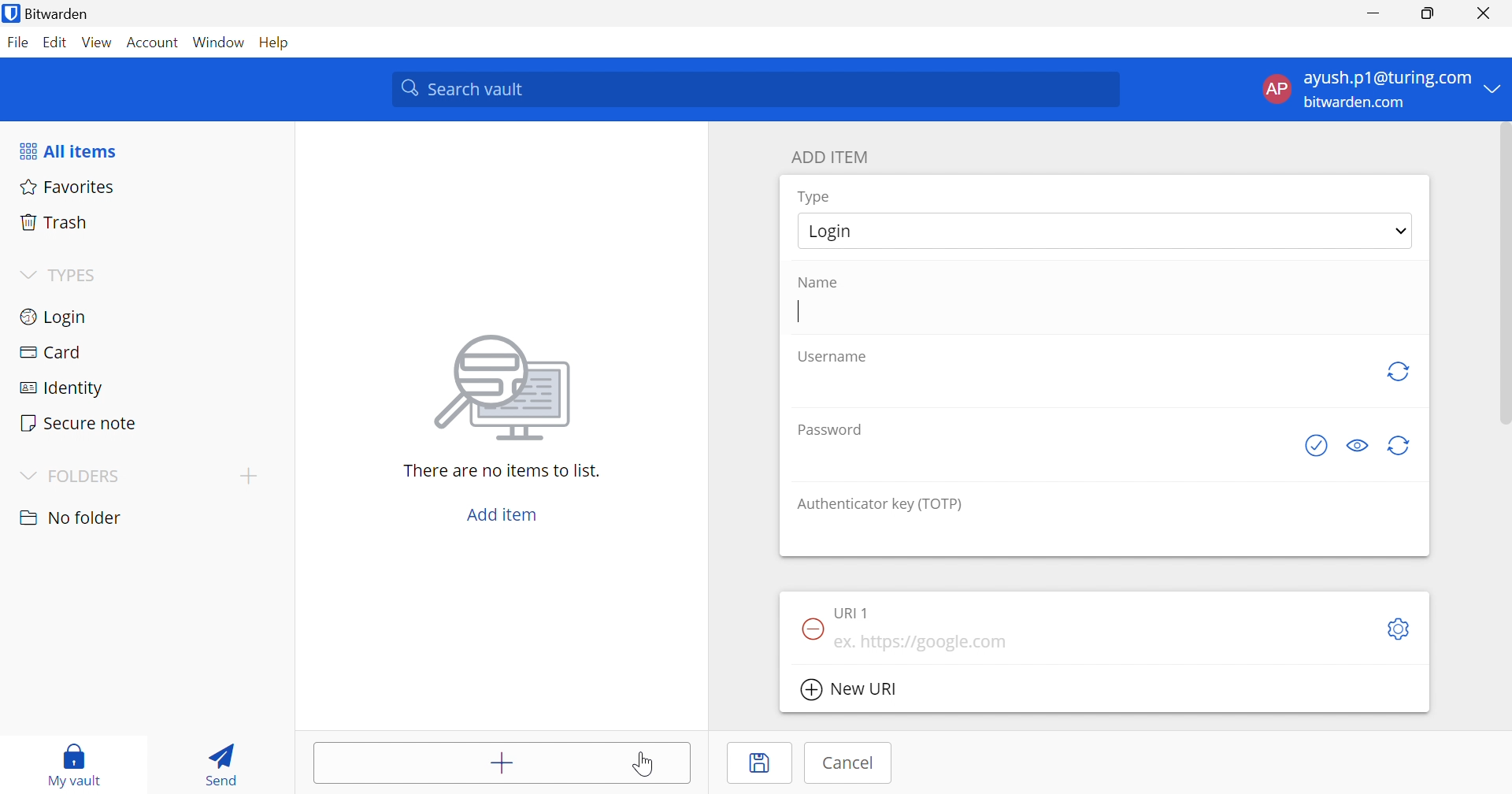  What do you see at coordinates (74, 766) in the screenshot?
I see `My vault` at bounding box center [74, 766].